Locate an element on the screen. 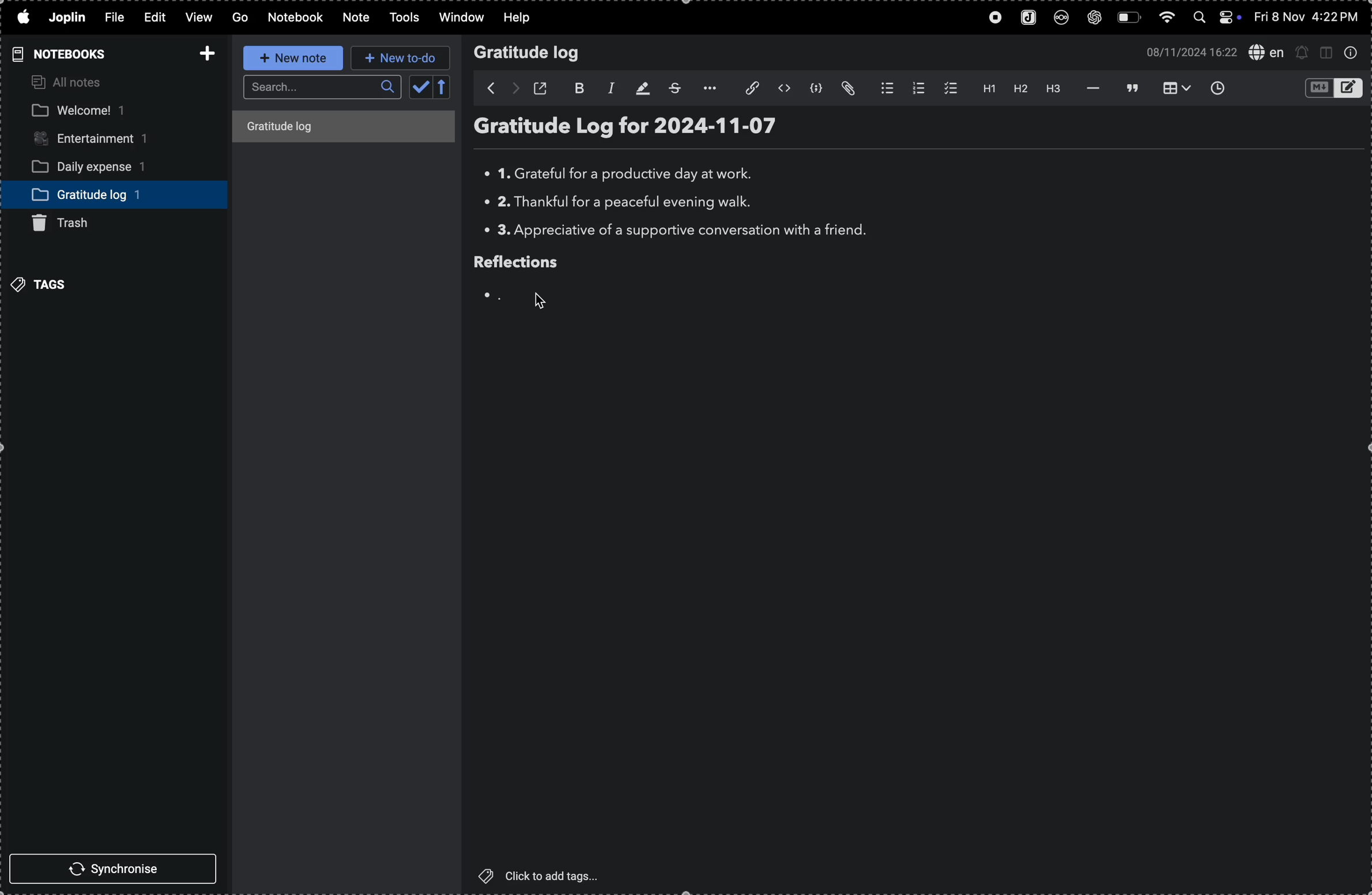 Image resolution: width=1372 pixels, height=895 pixels. note is located at coordinates (357, 20).